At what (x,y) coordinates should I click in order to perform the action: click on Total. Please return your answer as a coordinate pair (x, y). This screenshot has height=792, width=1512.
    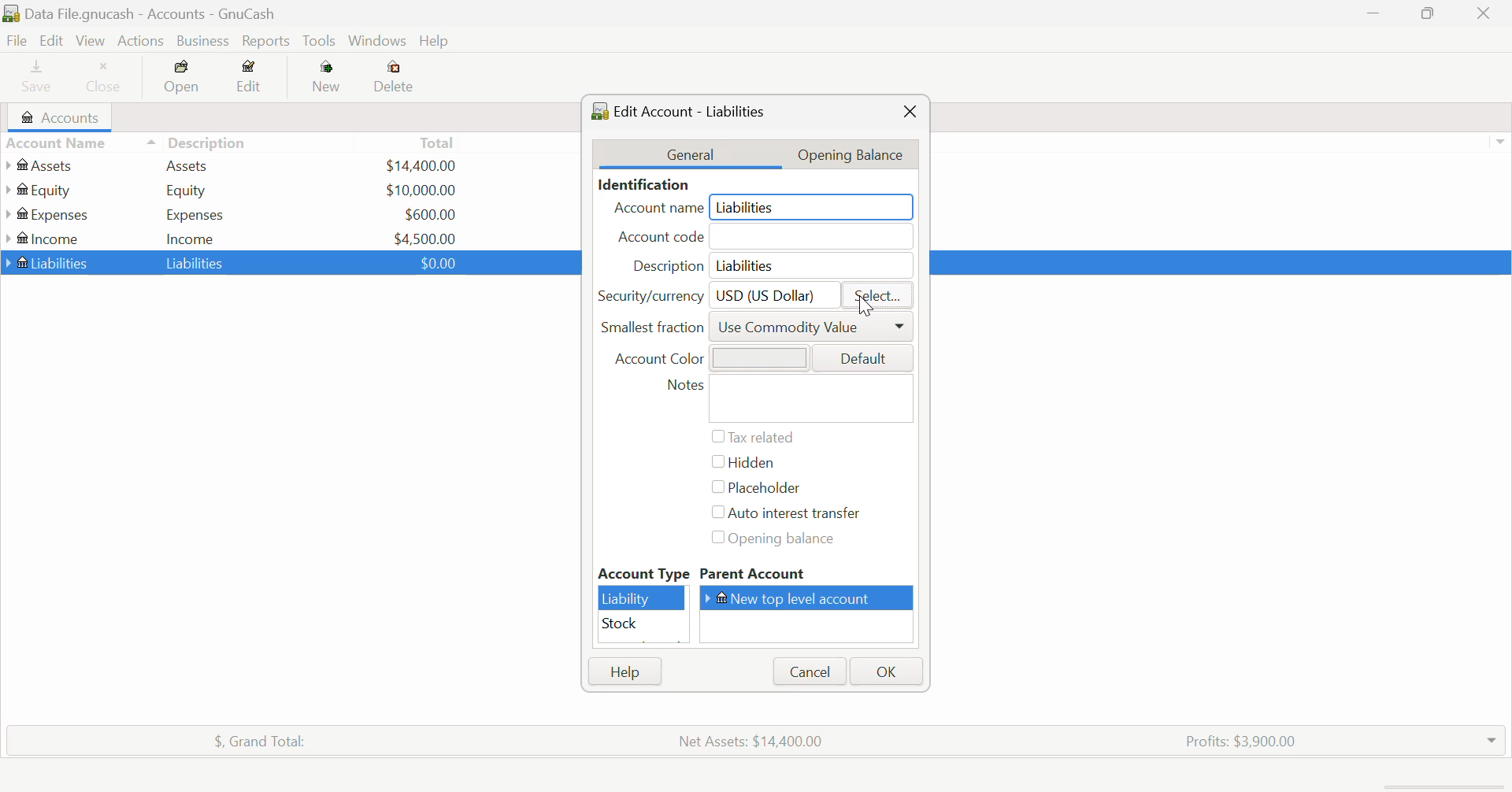
    Looking at the image, I should click on (251, 738).